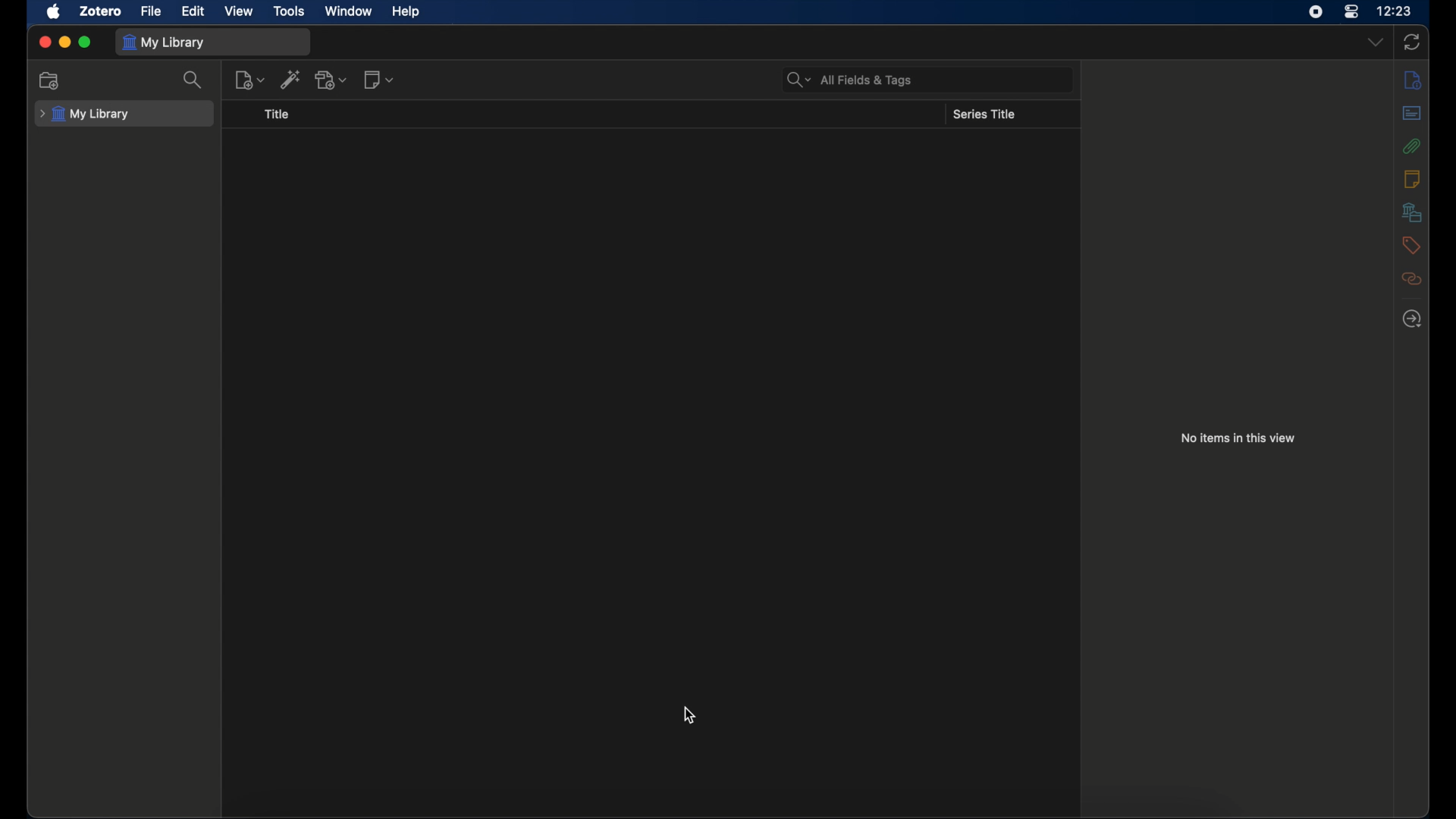 This screenshot has height=819, width=1456. Describe the element at coordinates (1412, 113) in the screenshot. I see `abstract` at that location.